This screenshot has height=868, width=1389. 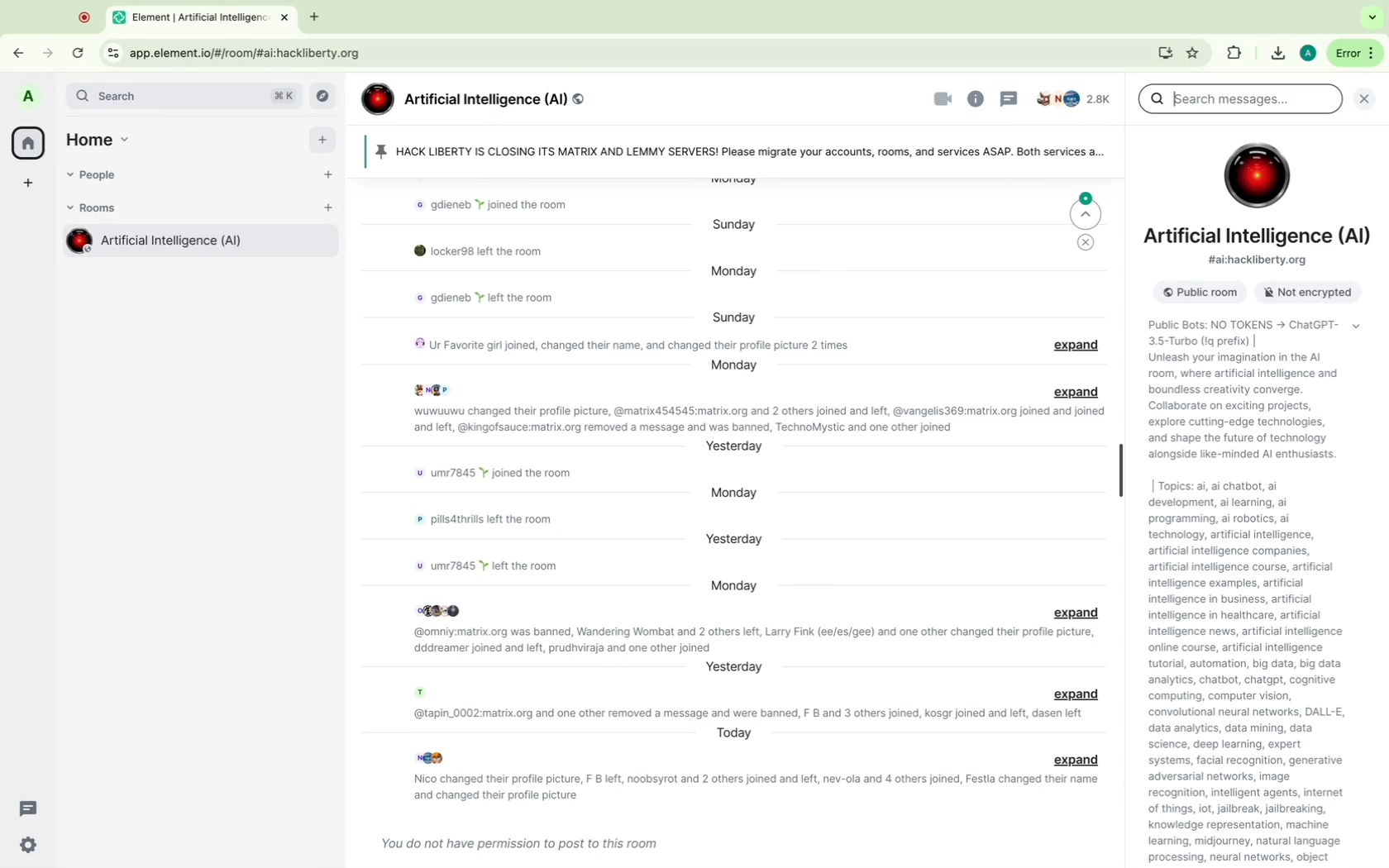 What do you see at coordinates (1302, 293) in the screenshot?
I see `not encrypted` at bounding box center [1302, 293].